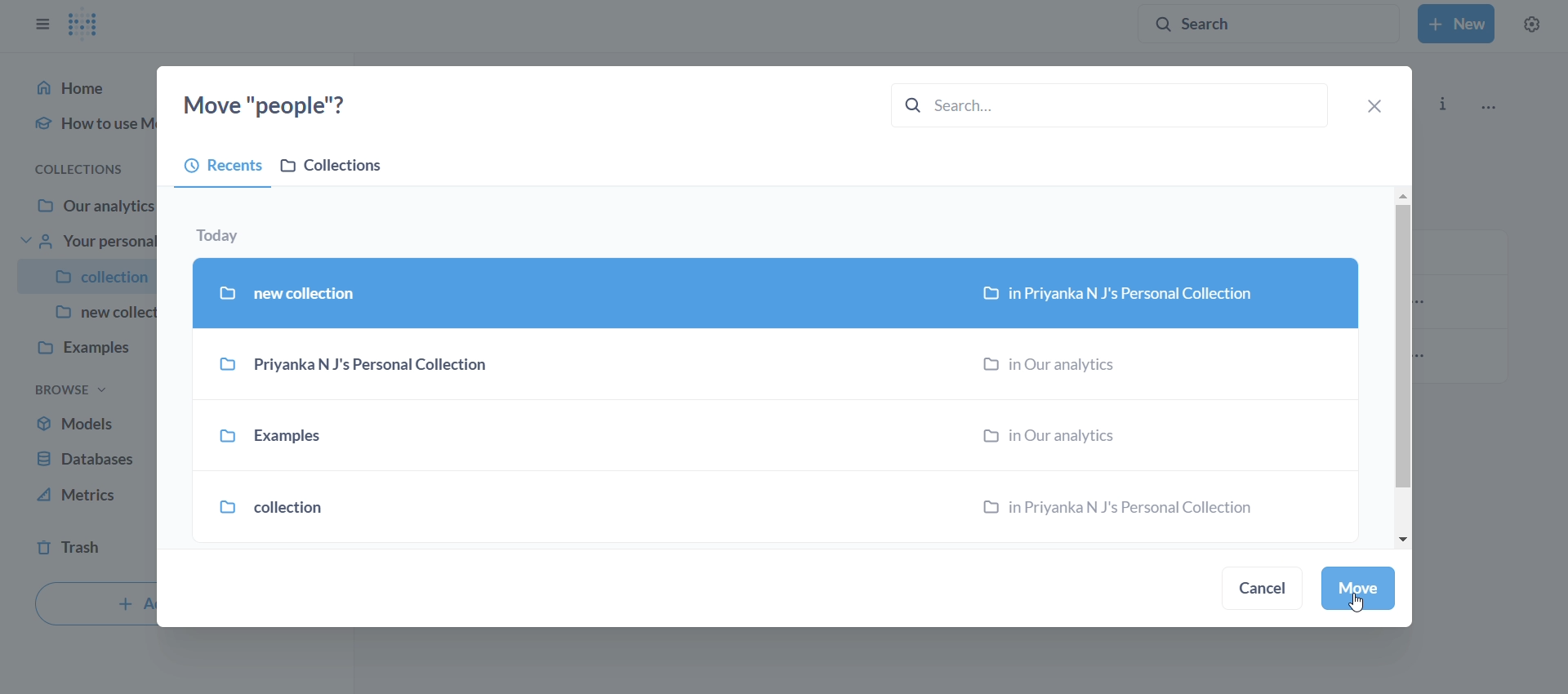  Describe the element at coordinates (1403, 367) in the screenshot. I see `vertical scroll bar` at that location.